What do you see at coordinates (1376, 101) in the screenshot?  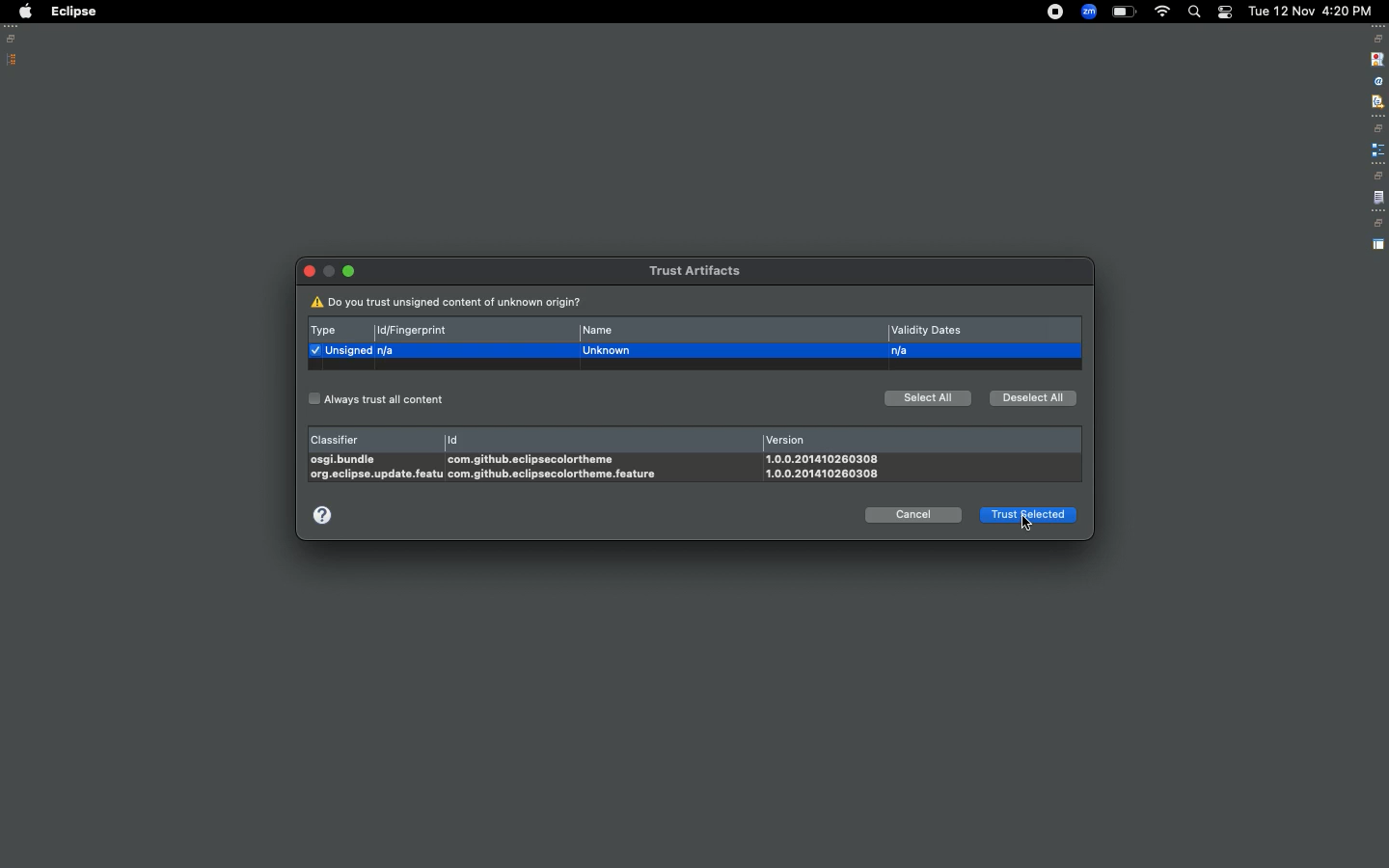 I see `filter` at bounding box center [1376, 101].